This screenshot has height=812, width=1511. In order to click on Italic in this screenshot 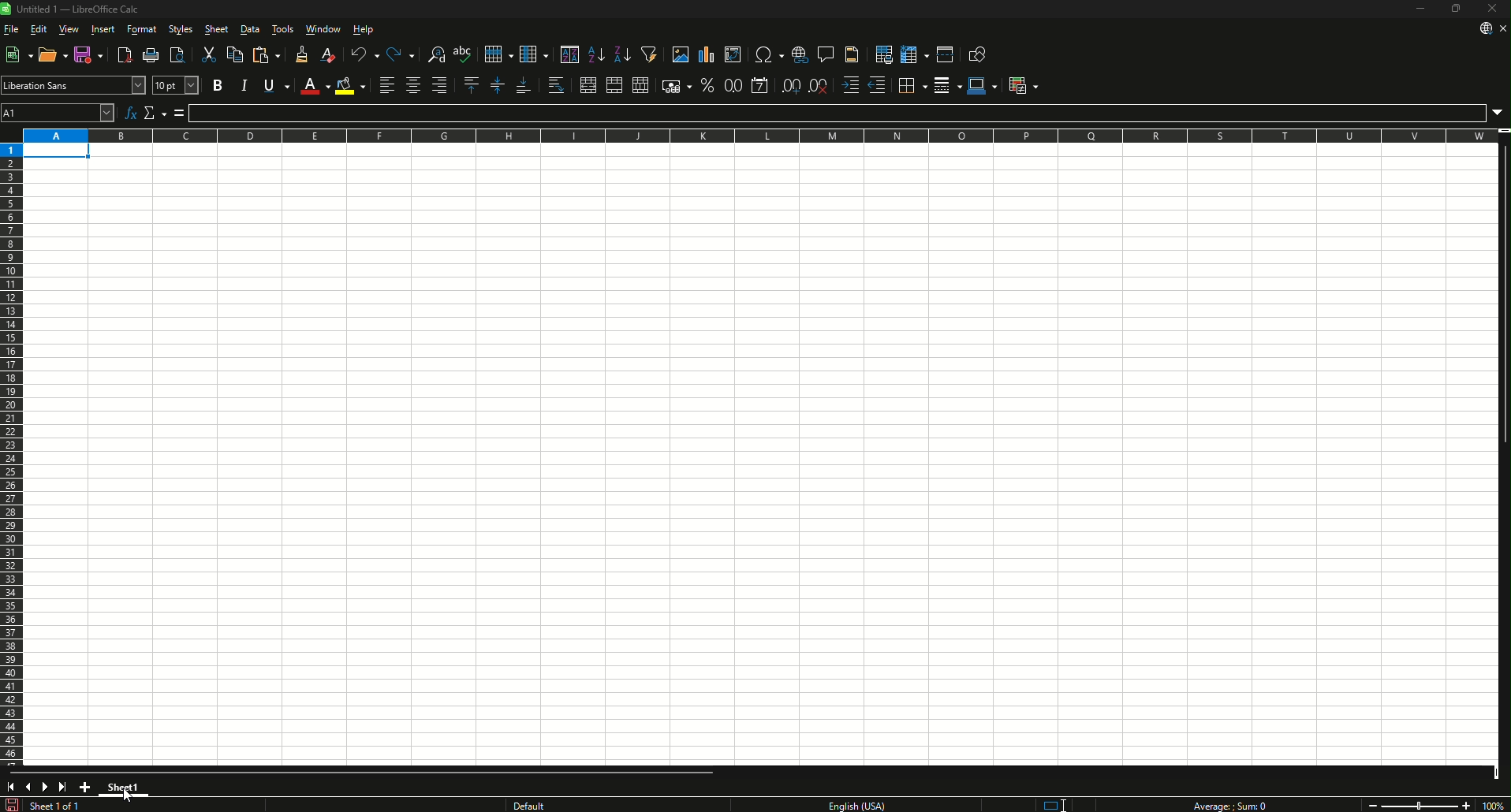, I will do `click(244, 85)`.